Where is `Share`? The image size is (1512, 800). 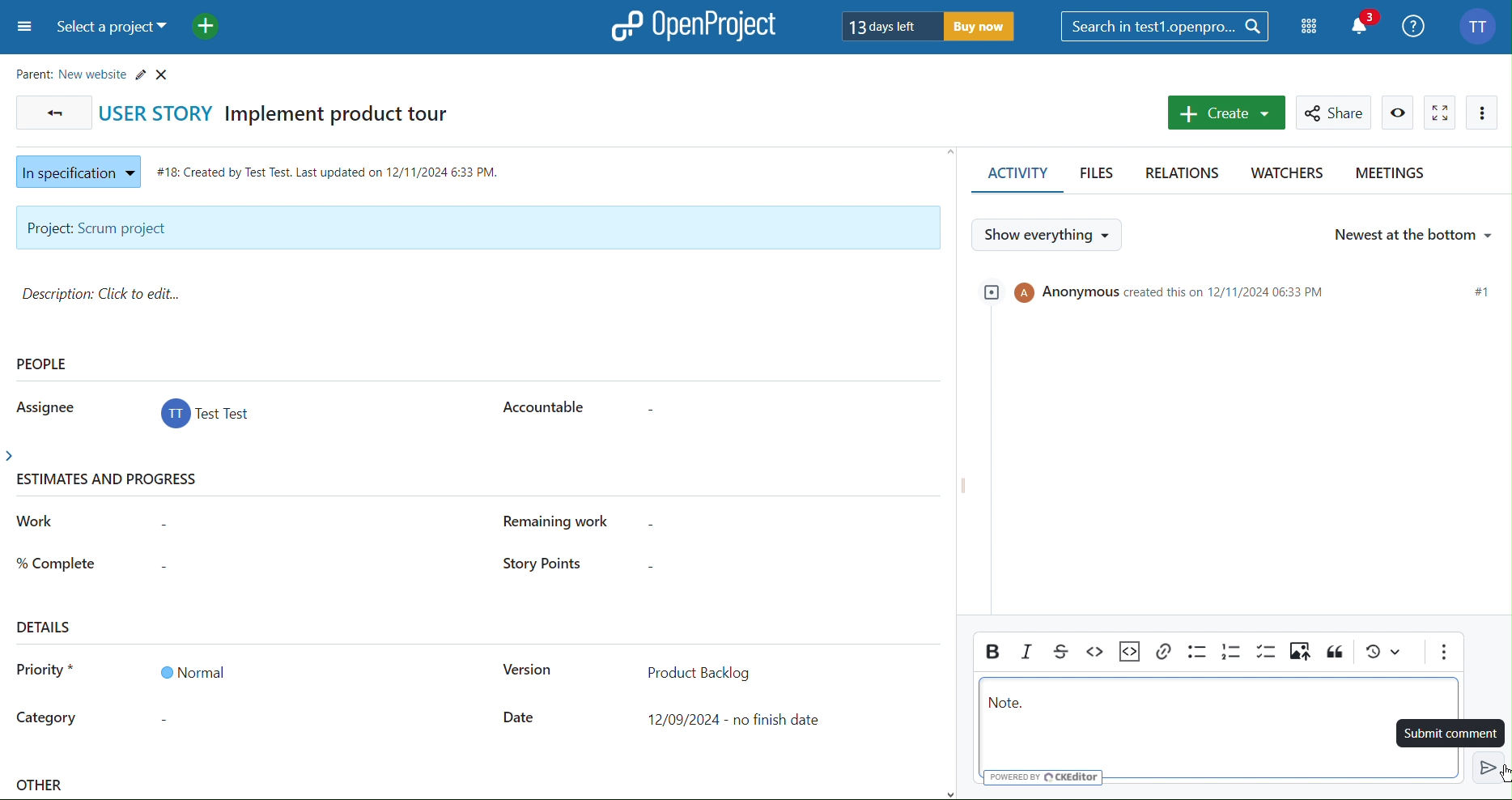 Share is located at coordinates (1336, 113).